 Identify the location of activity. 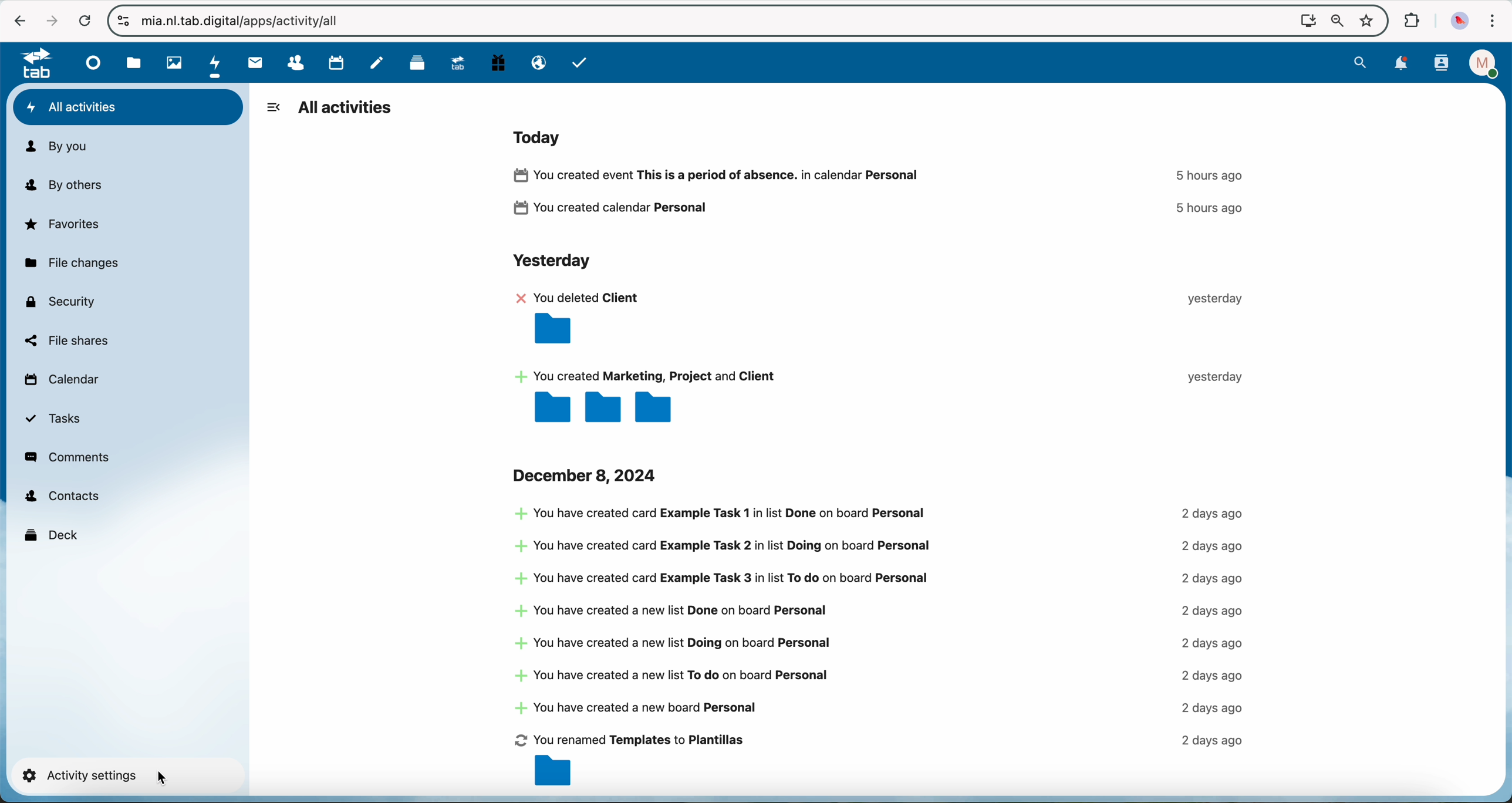
(885, 194).